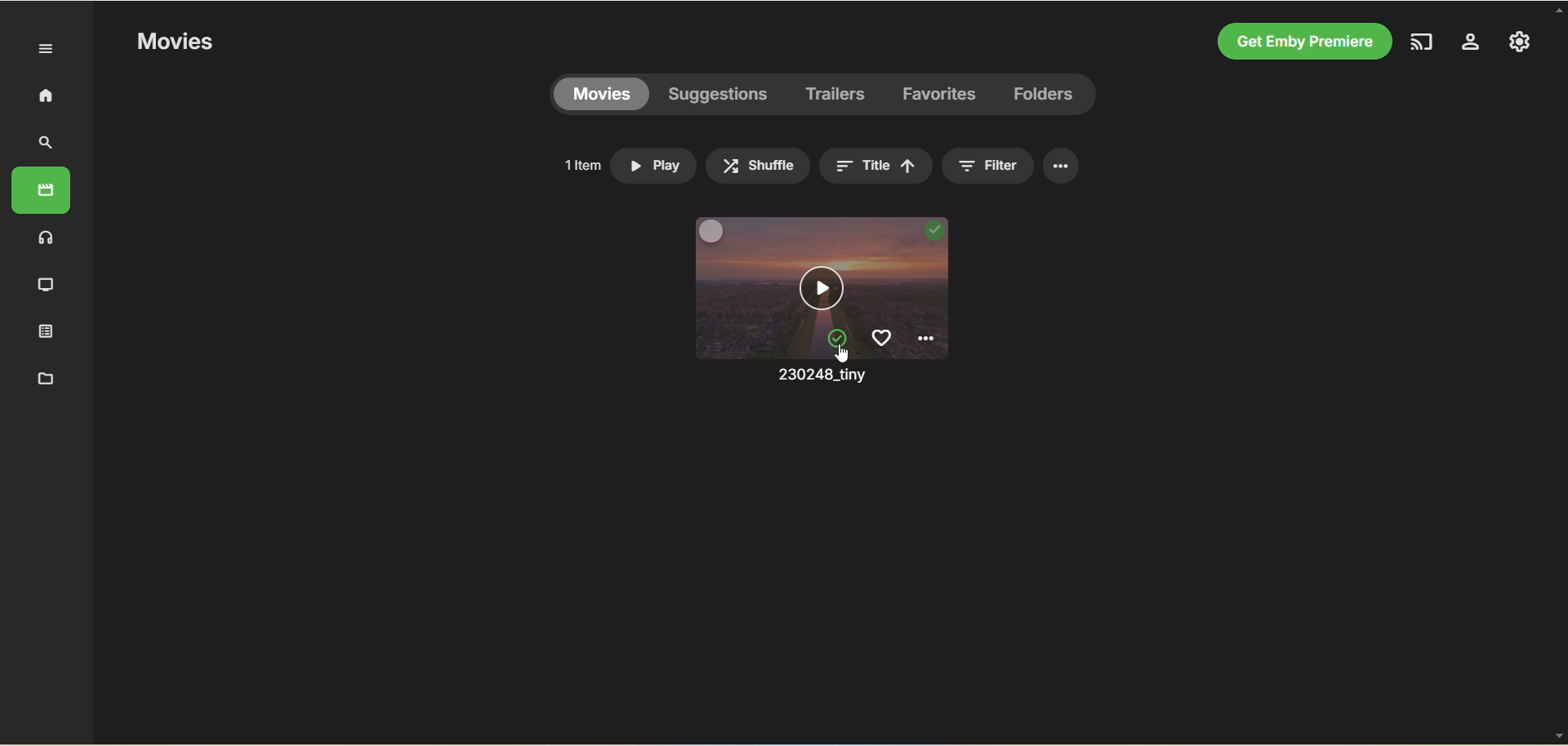 This screenshot has width=1568, height=746. Describe the element at coordinates (1419, 41) in the screenshot. I see `play on another device` at that location.